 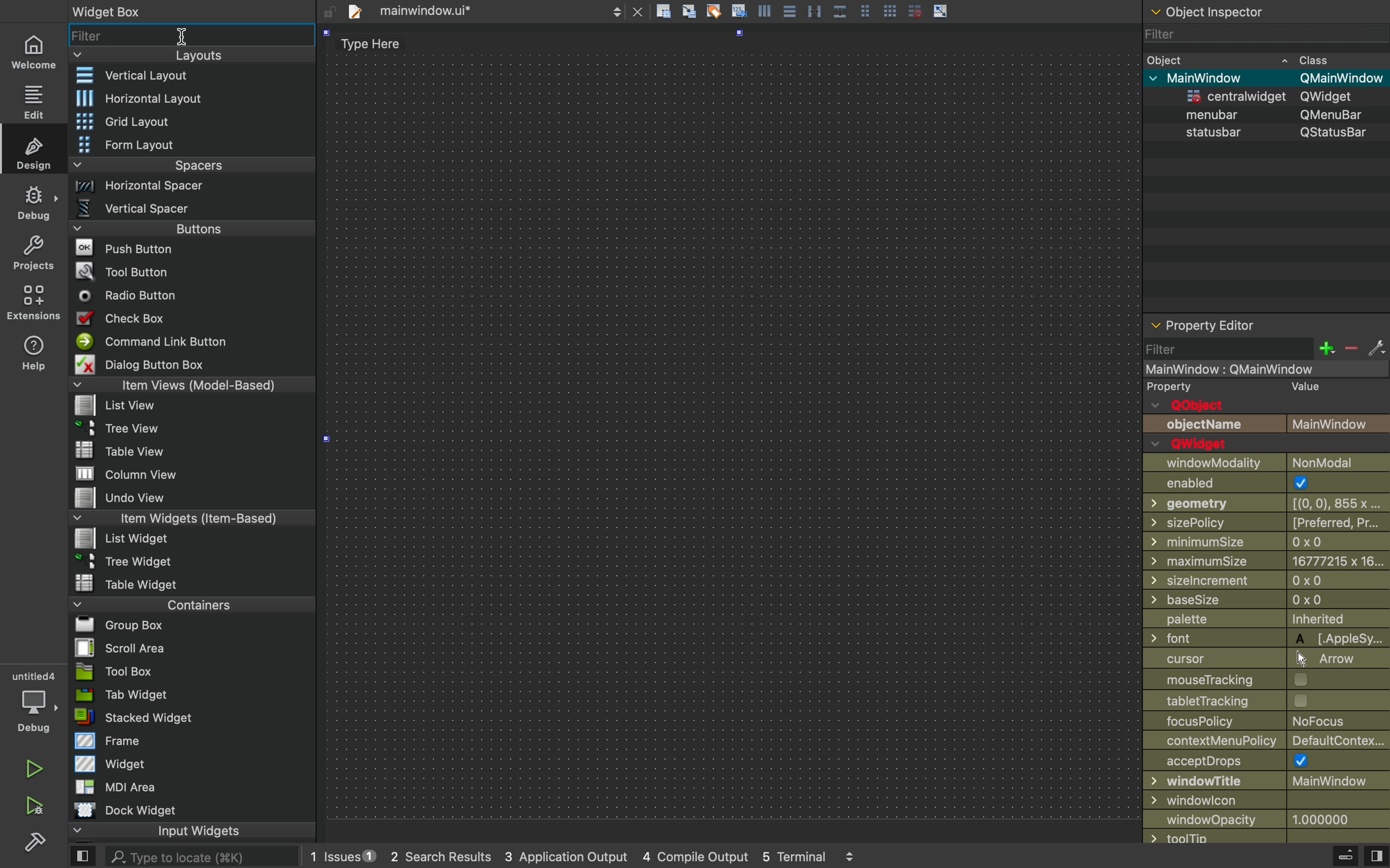 What do you see at coordinates (1276, 115) in the screenshot?
I see `menubar` at bounding box center [1276, 115].